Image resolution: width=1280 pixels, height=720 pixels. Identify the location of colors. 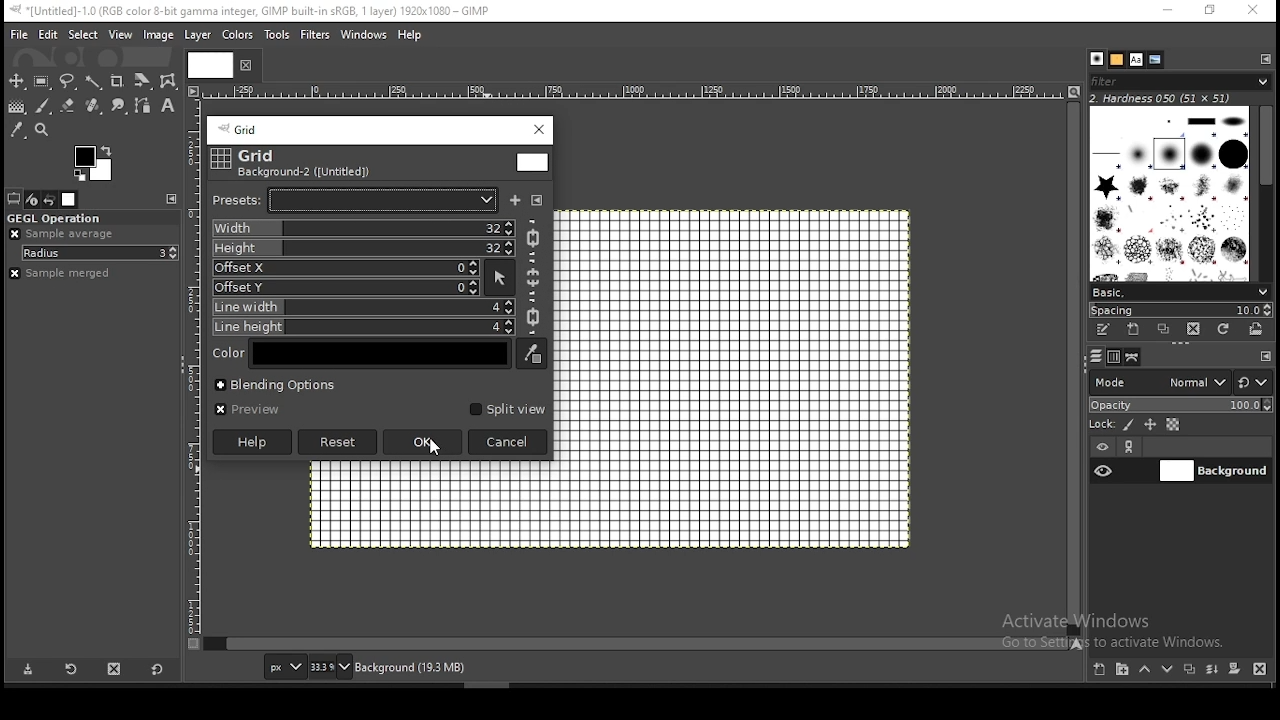
(97, 161).